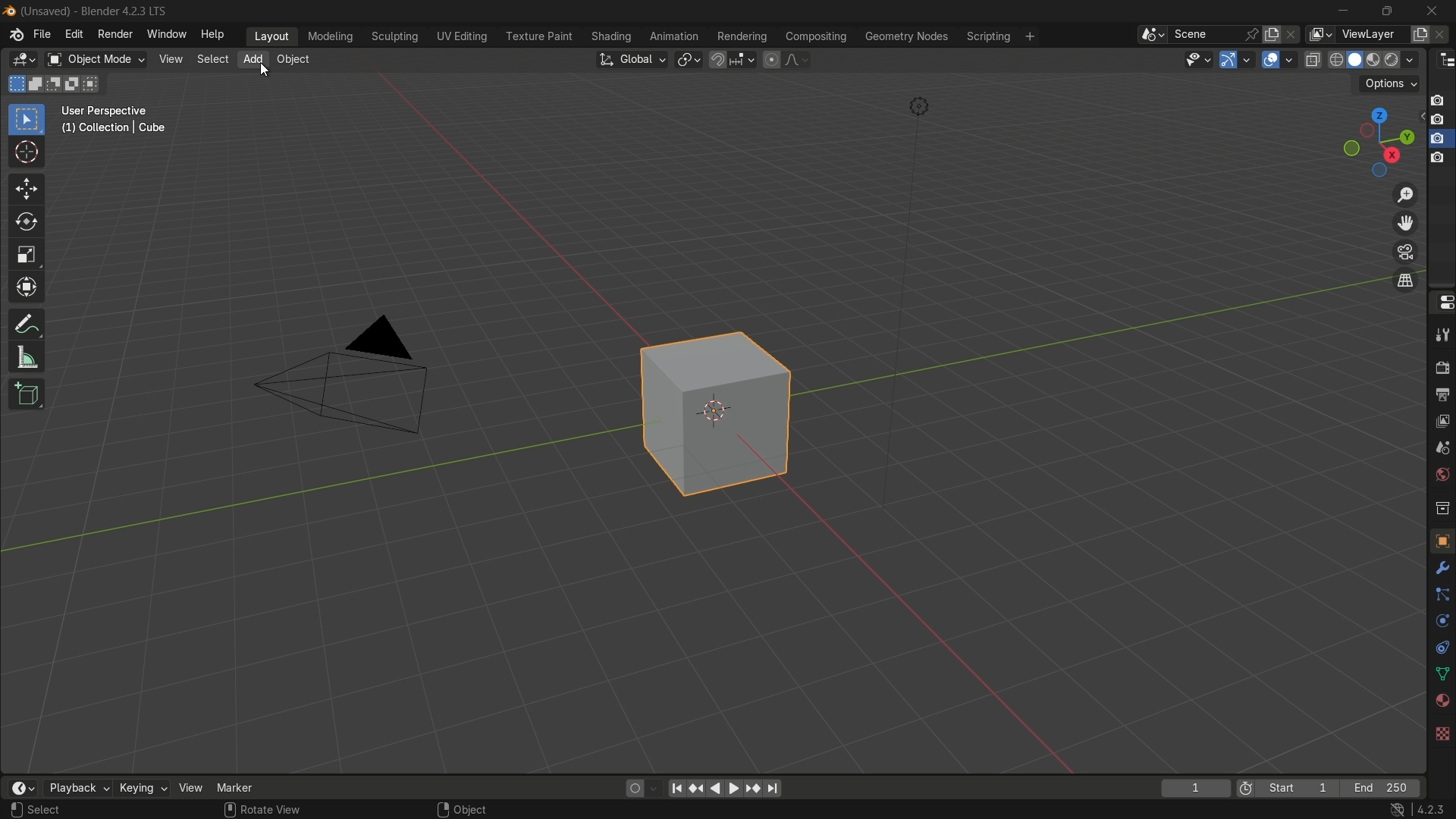 Image resolution: width=1456 pixels, height=819 pixels. I want to click on 3D viewport, so click(23, 60).